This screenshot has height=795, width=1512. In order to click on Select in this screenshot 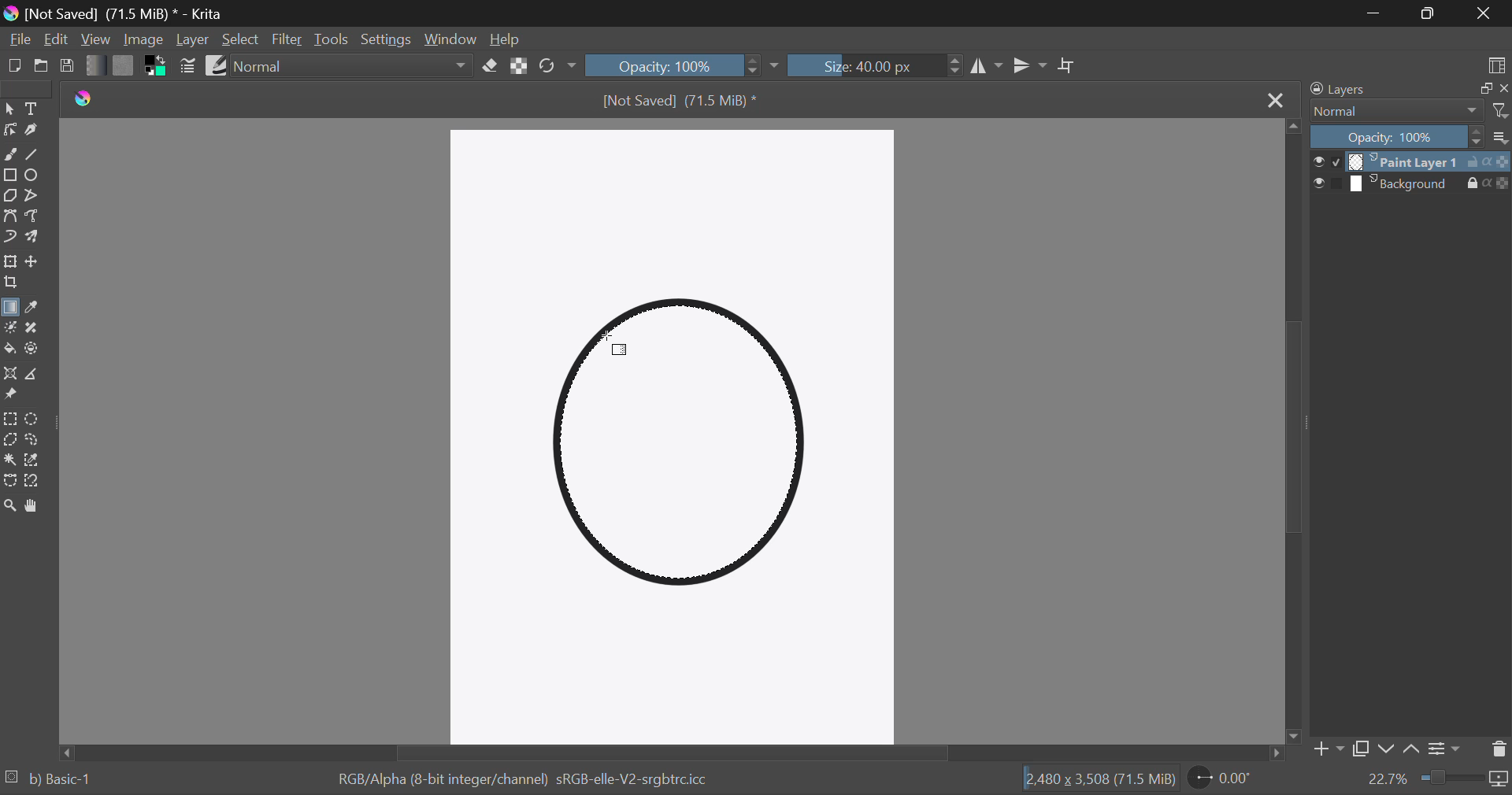, I will do `click(241, 42)`.